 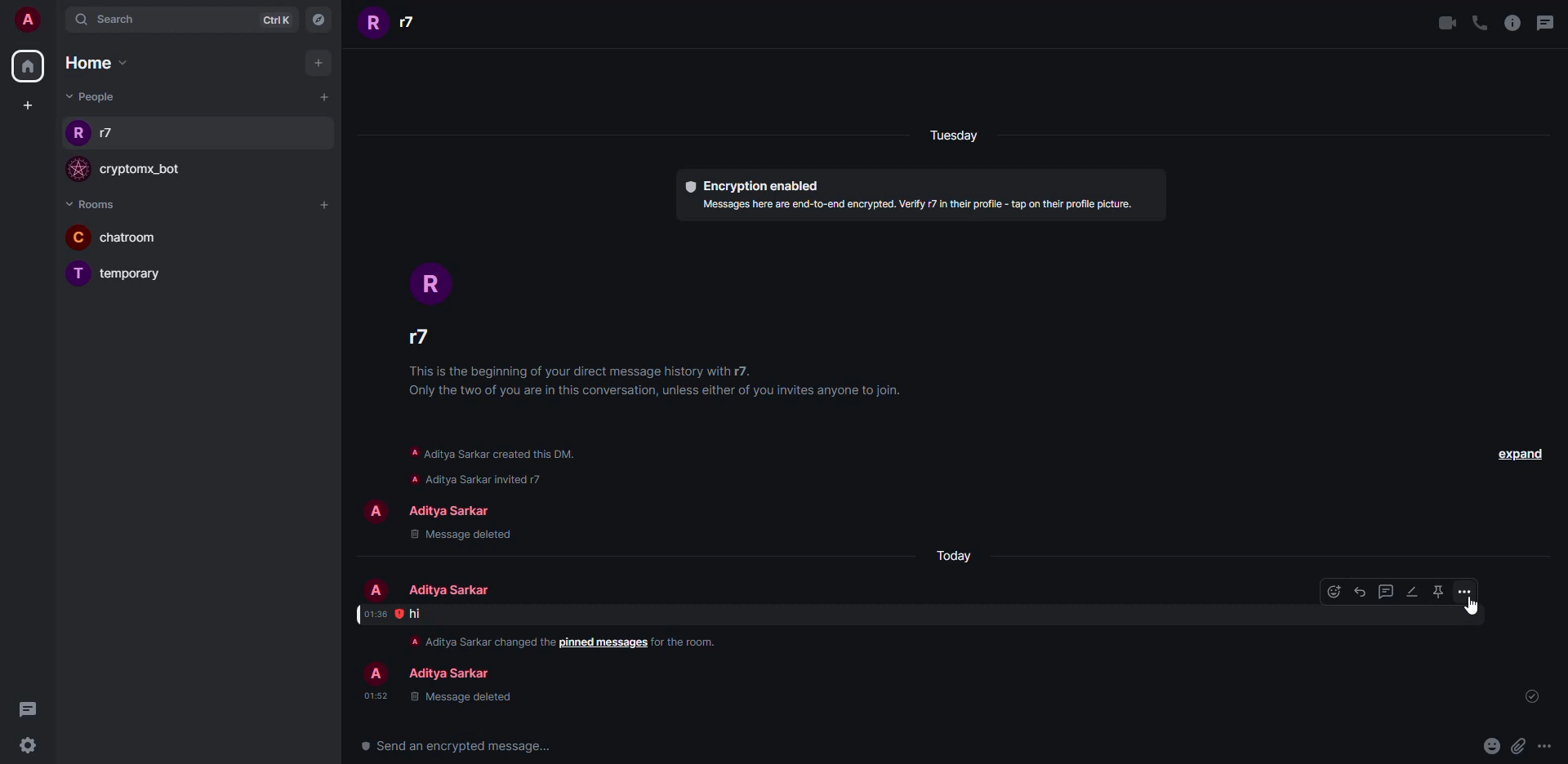 What do you see at coordinates (78, 135) in the screenshot?
I see `profile` at bounding box center [78, 135].